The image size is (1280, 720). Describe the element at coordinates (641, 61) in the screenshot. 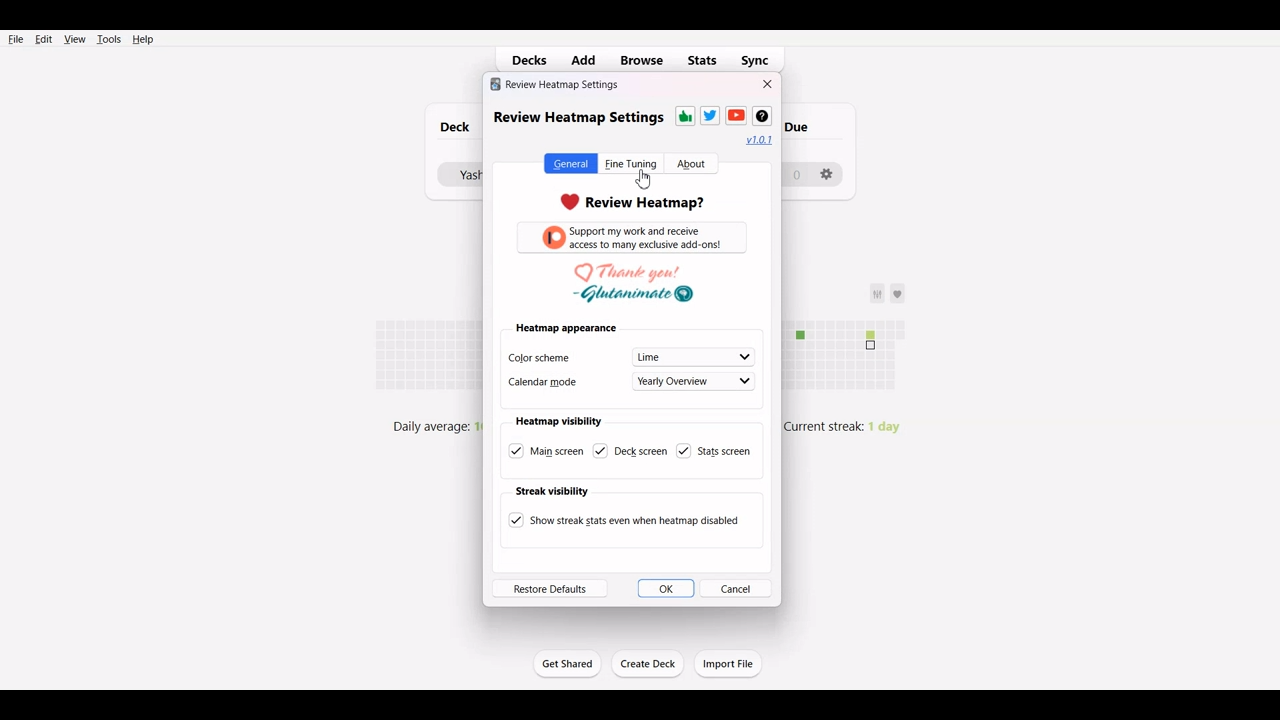

I see `Browse` at that location.